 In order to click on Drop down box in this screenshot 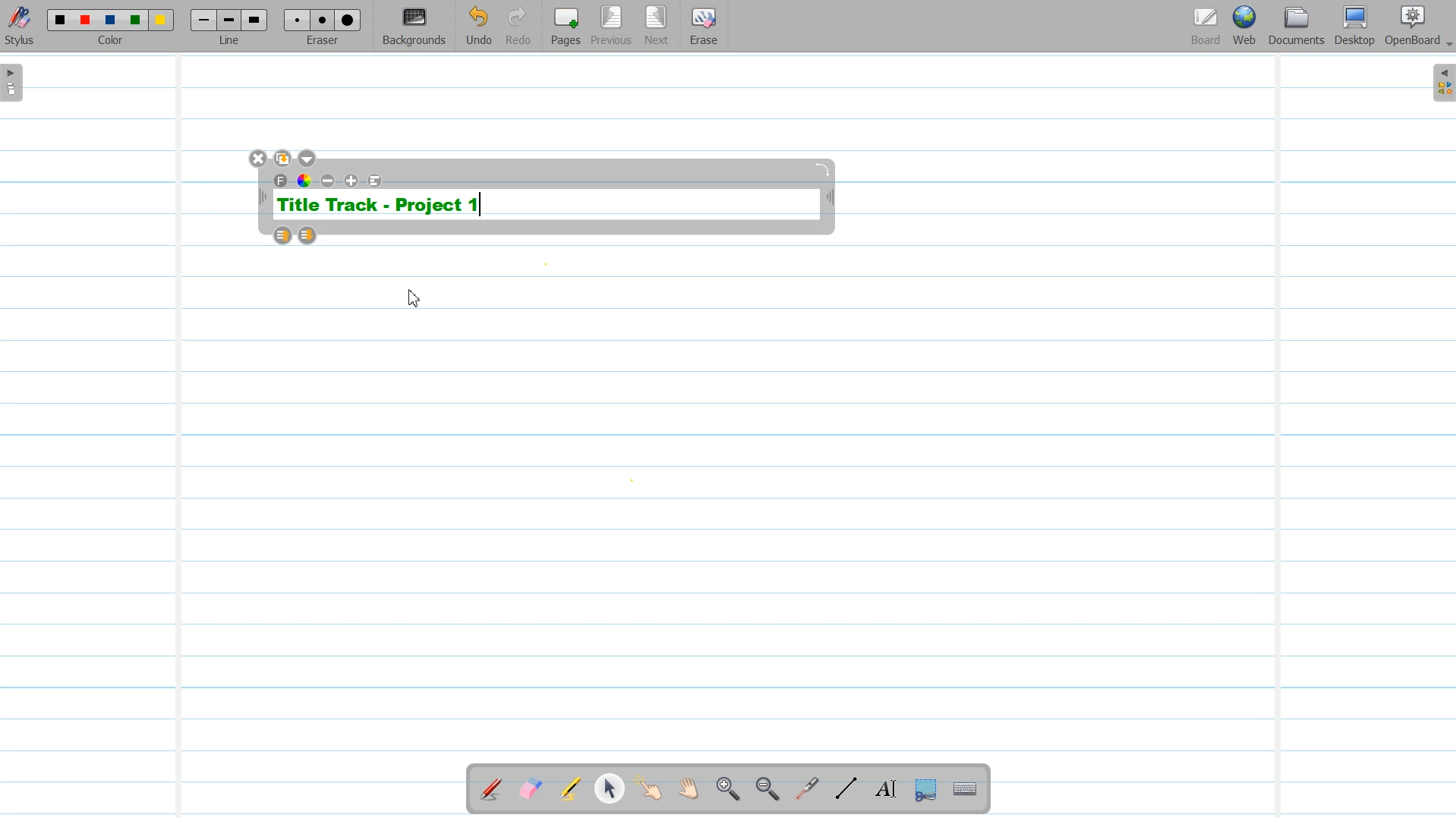, I will do `click(309, 159)`.